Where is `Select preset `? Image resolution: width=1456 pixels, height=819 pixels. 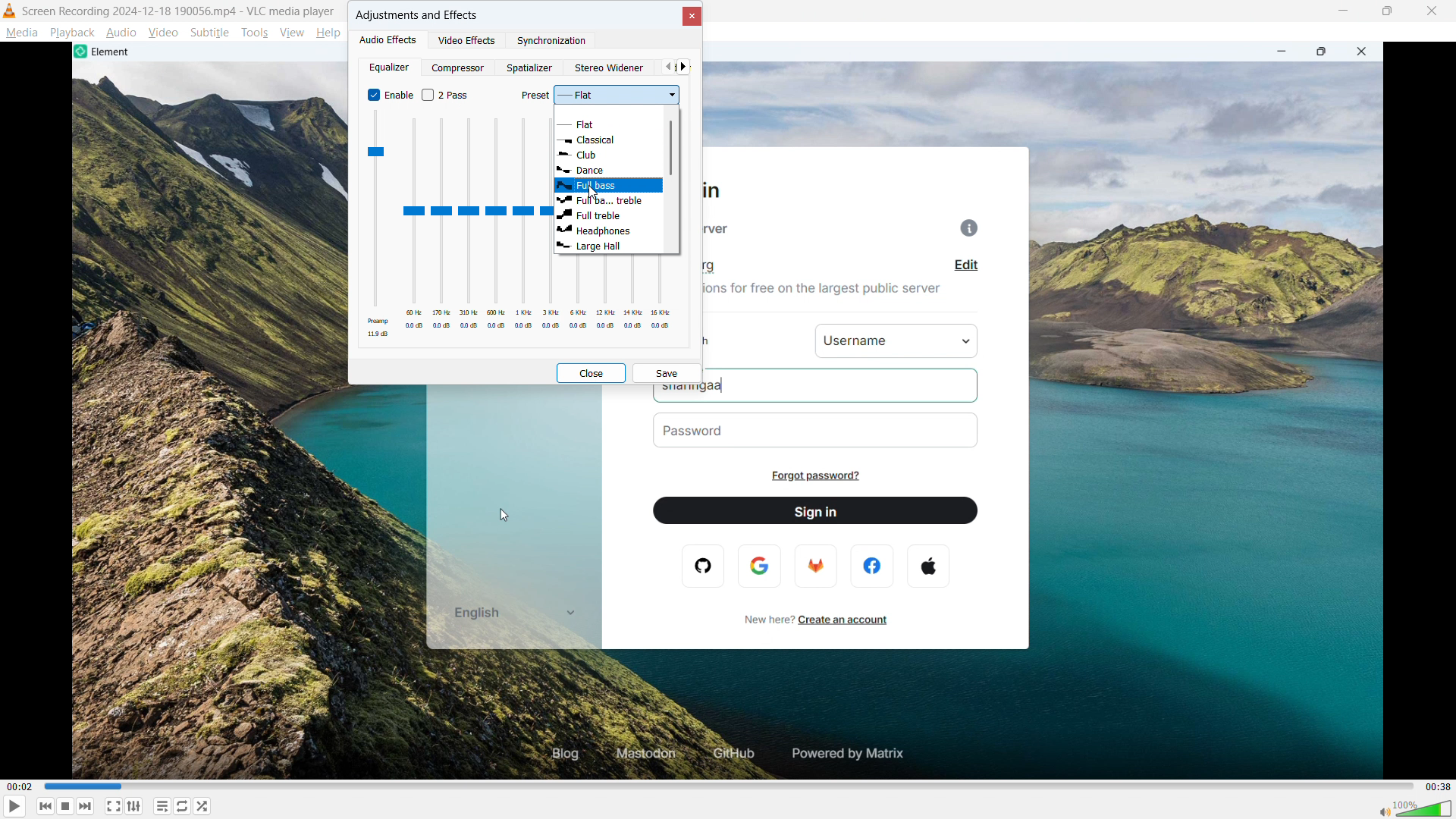
Select preset  is located at coordinates (598, 96).